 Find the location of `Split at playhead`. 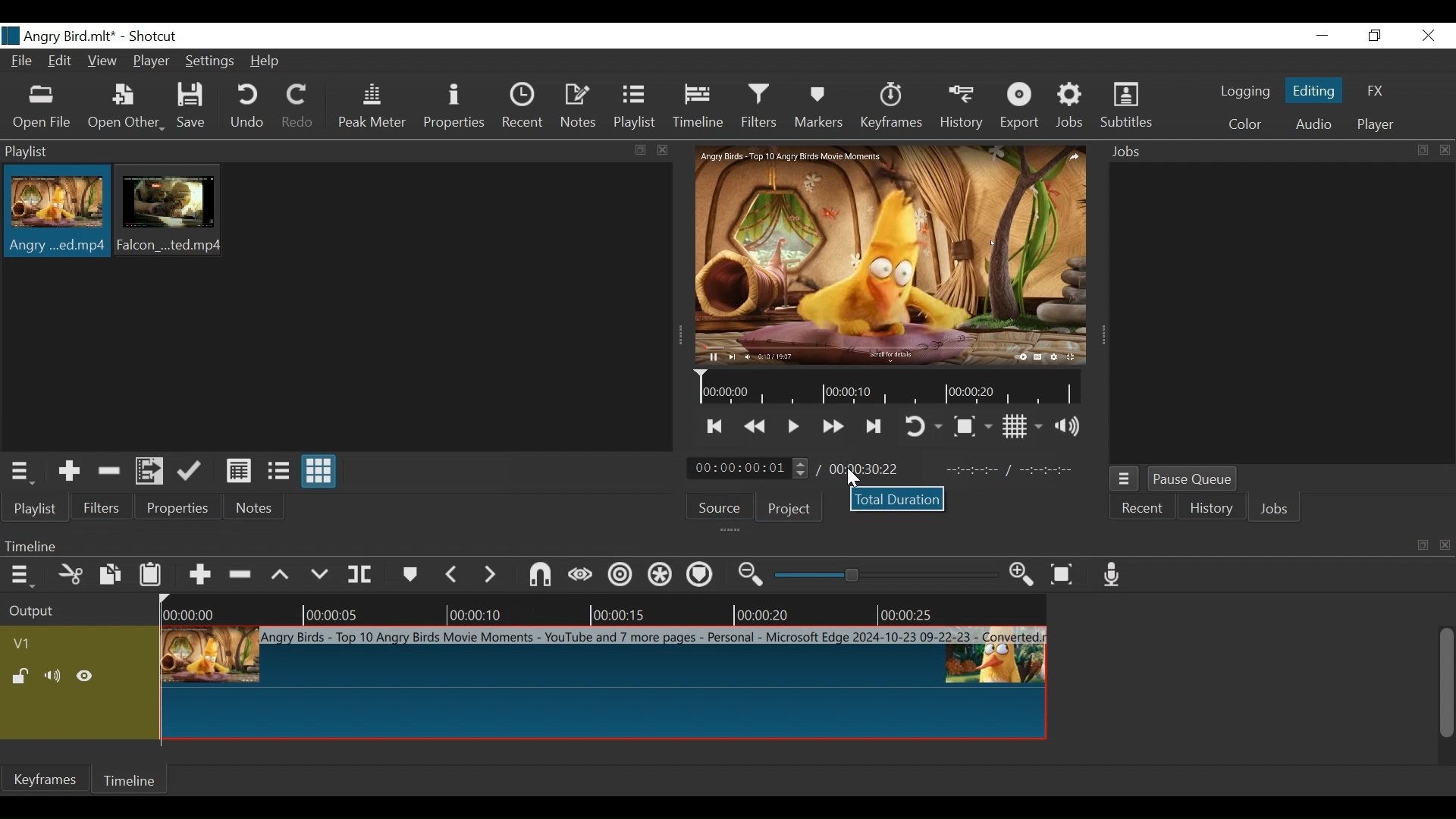

Split at playhead is located at coordinates (362, 573).